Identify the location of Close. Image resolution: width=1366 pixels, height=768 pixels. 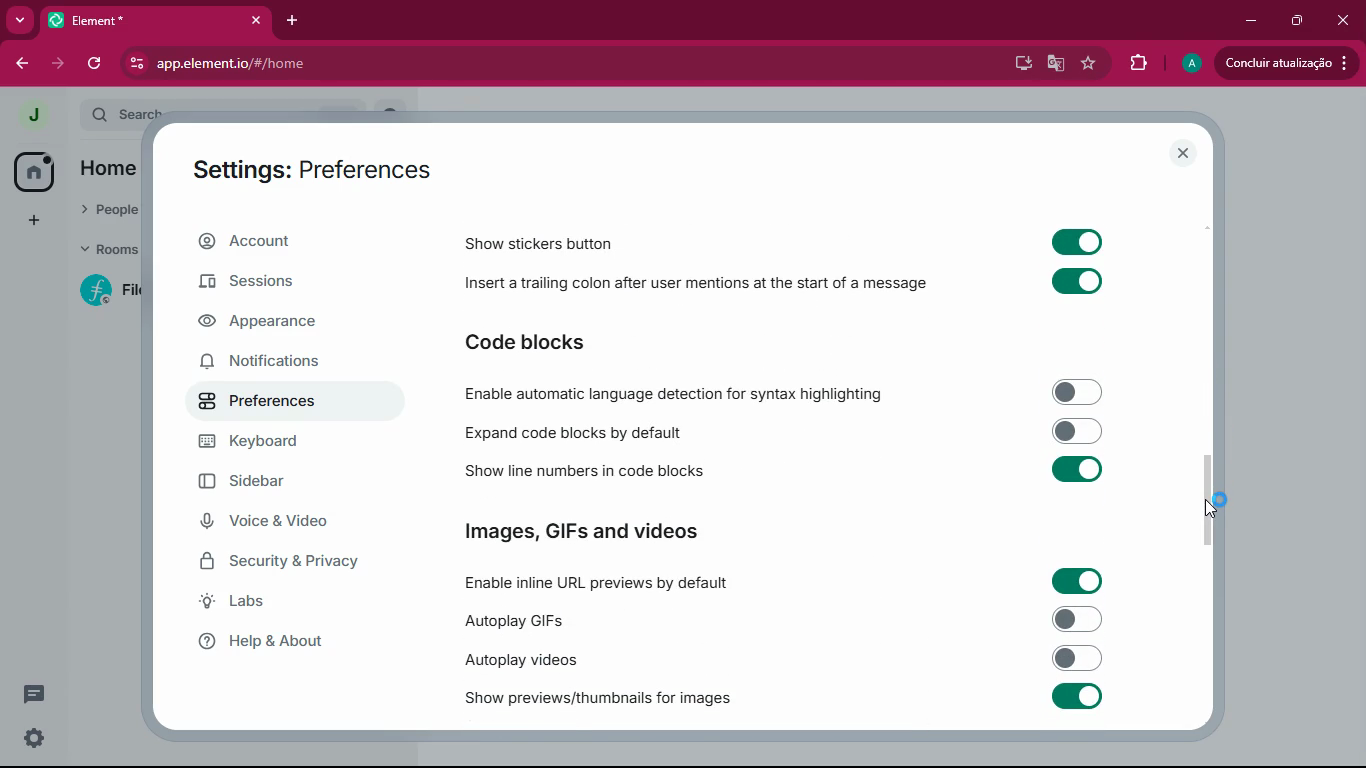
(1344, 20).